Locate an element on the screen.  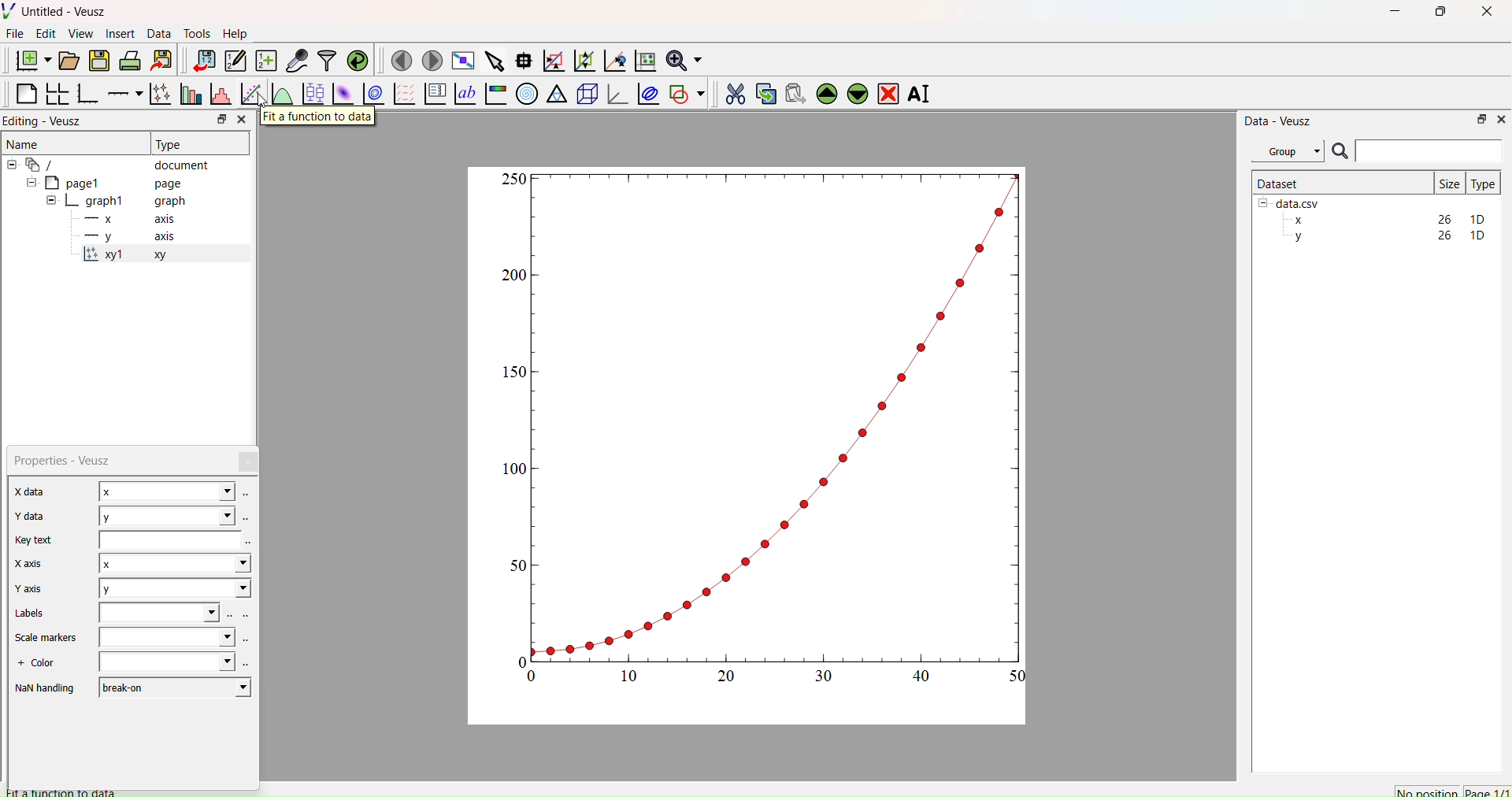
Close is located at coordinates (1488, 16).